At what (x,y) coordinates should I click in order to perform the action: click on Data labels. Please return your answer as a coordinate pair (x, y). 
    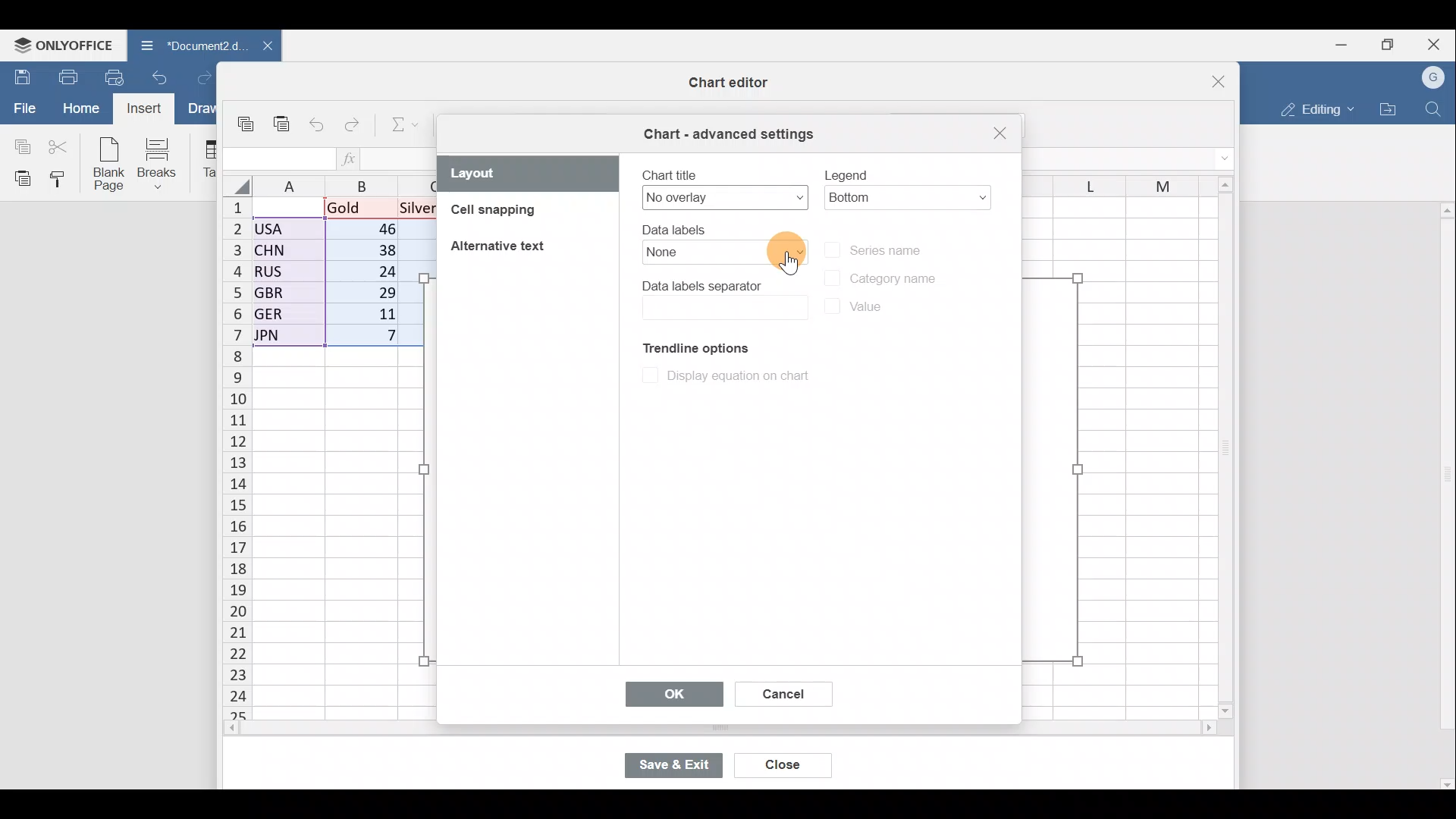
    Looking at the image, I should click on (715, 244).